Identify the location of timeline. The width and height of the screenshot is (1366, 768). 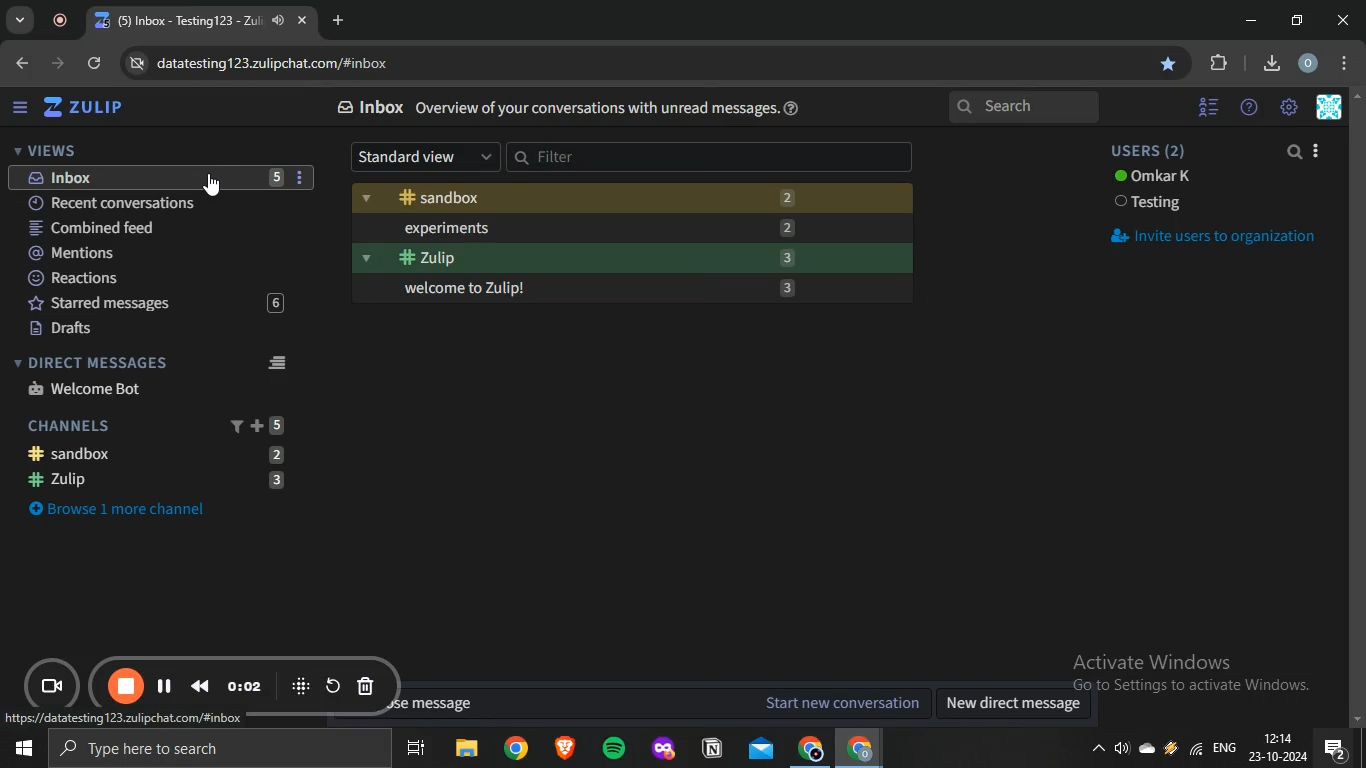
(246, 686).